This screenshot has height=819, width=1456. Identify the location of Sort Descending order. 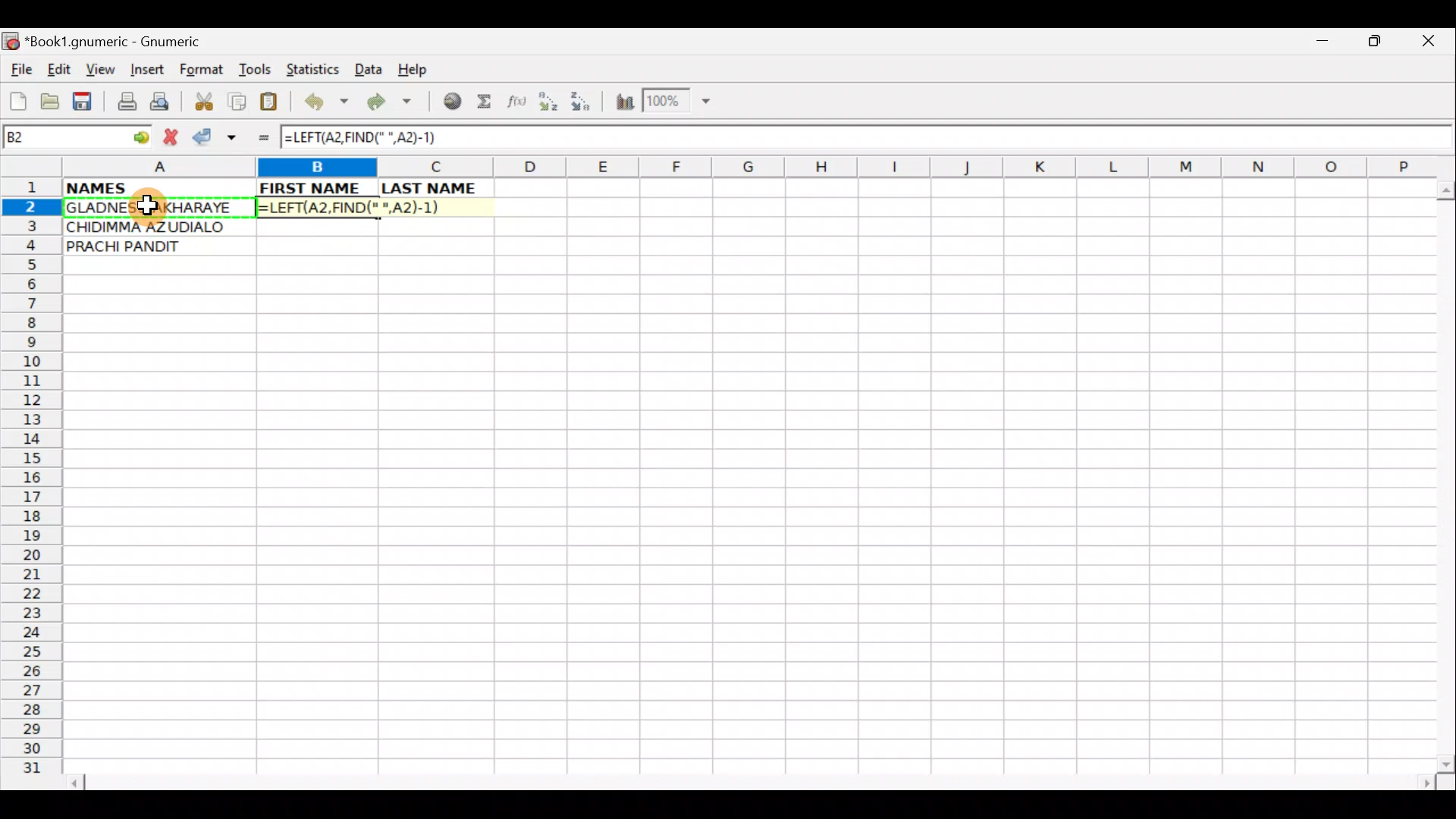
(585, 105).